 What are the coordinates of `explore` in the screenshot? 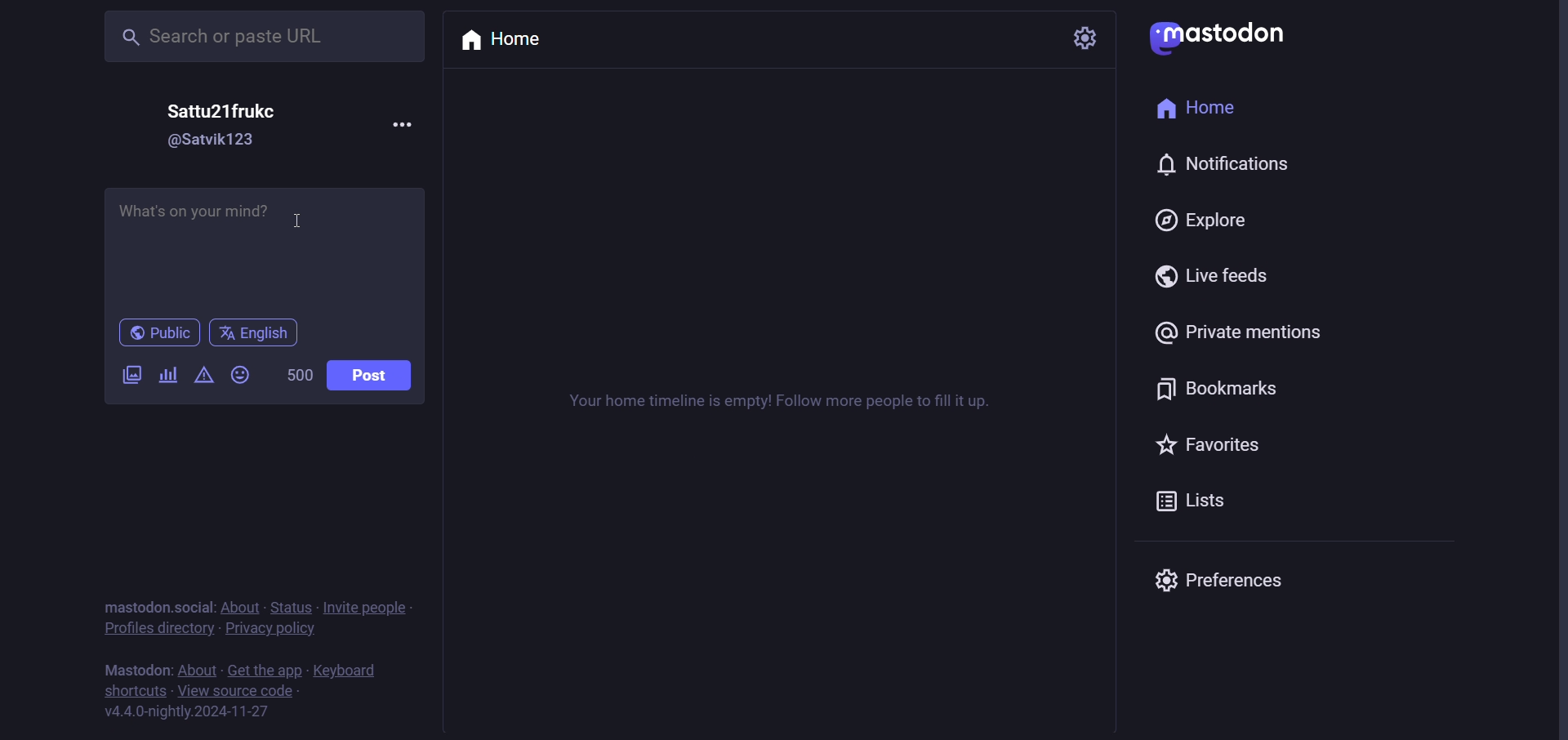 It's located at (1205, 221).